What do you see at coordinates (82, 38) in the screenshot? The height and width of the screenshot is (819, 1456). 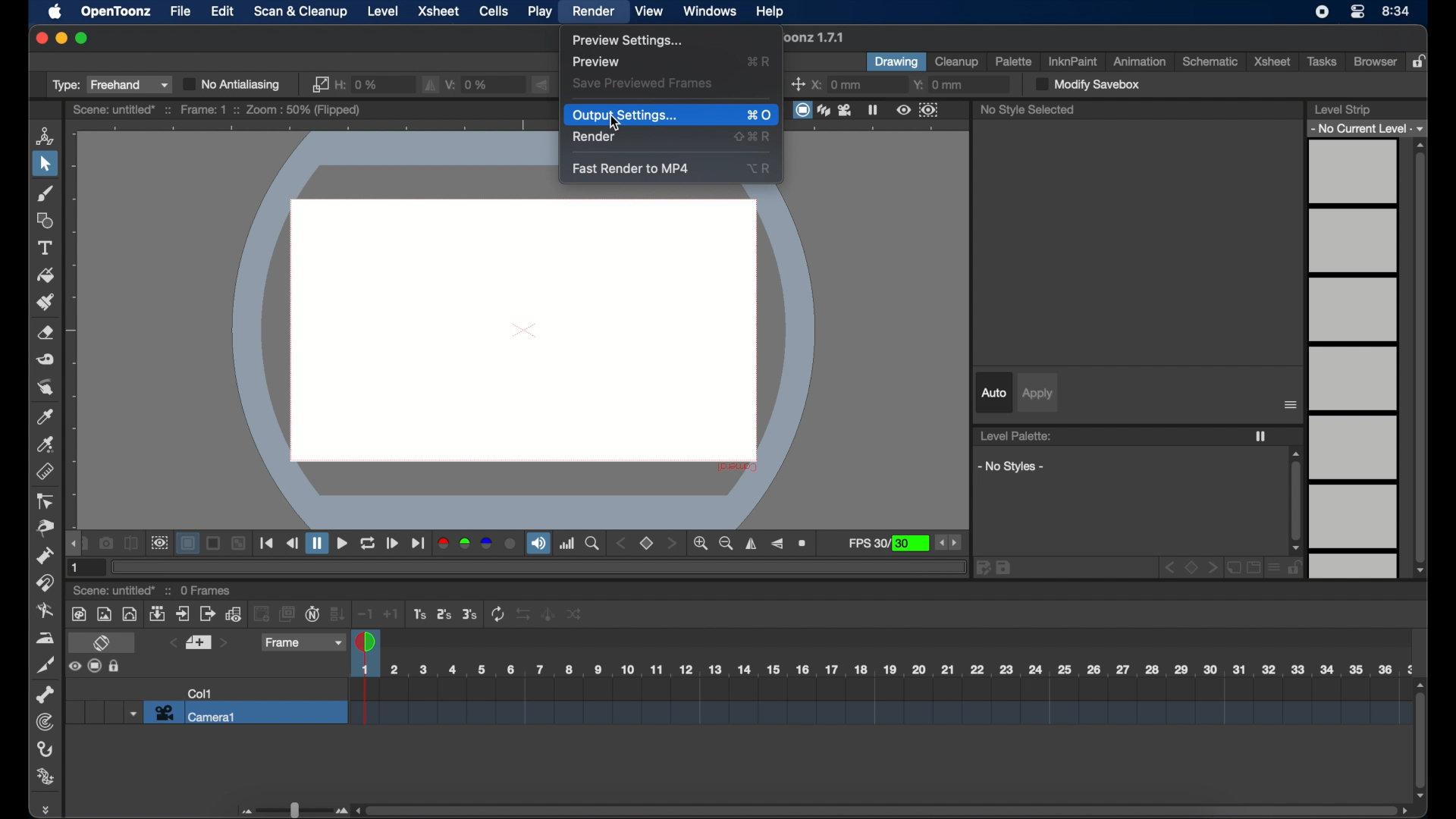 I see `maximize` at bounding box center [82, 38].